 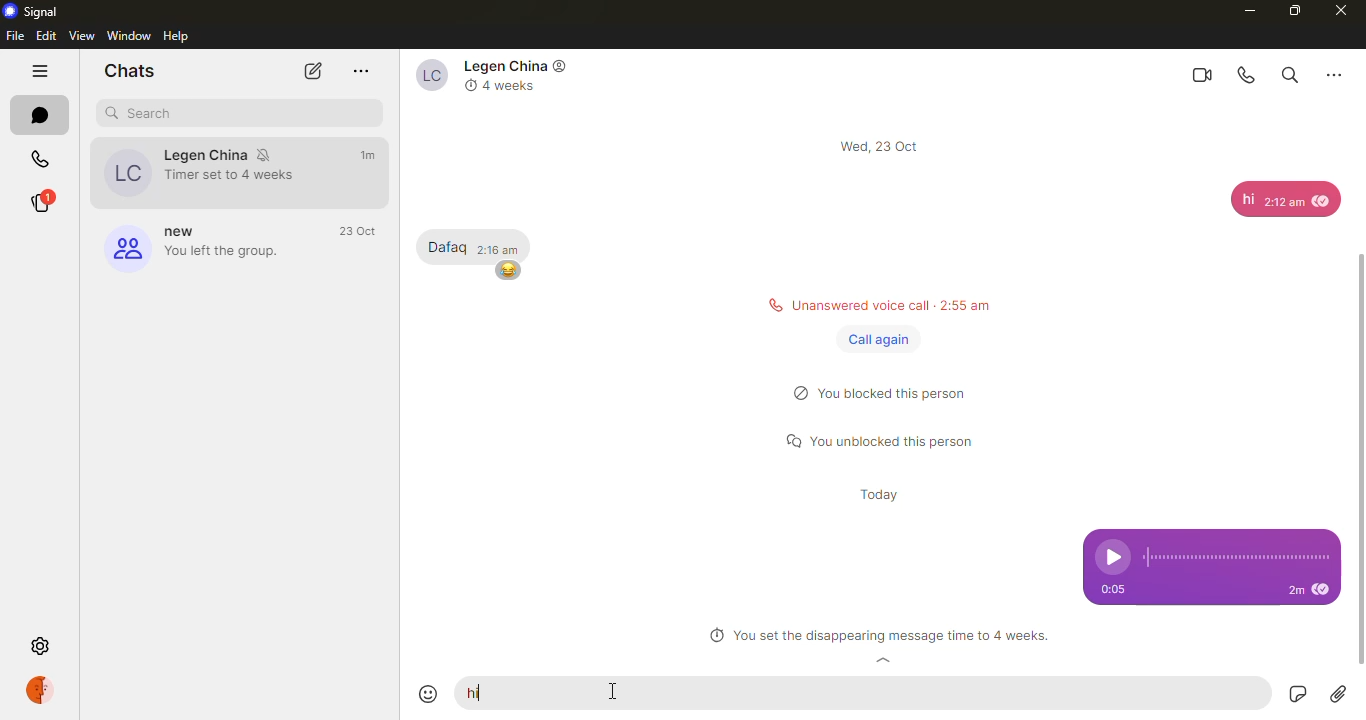 I want to click on emoji, so click(x=431, y=694).